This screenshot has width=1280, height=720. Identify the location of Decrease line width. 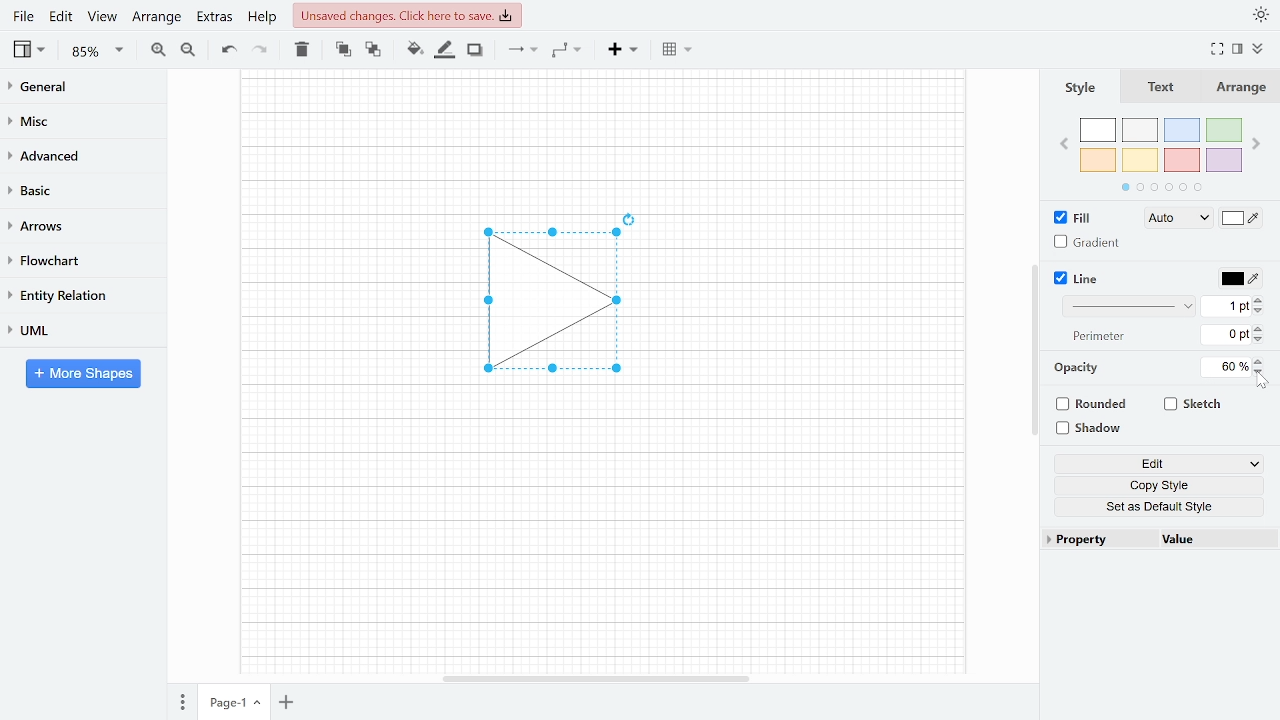
(1261, 310).